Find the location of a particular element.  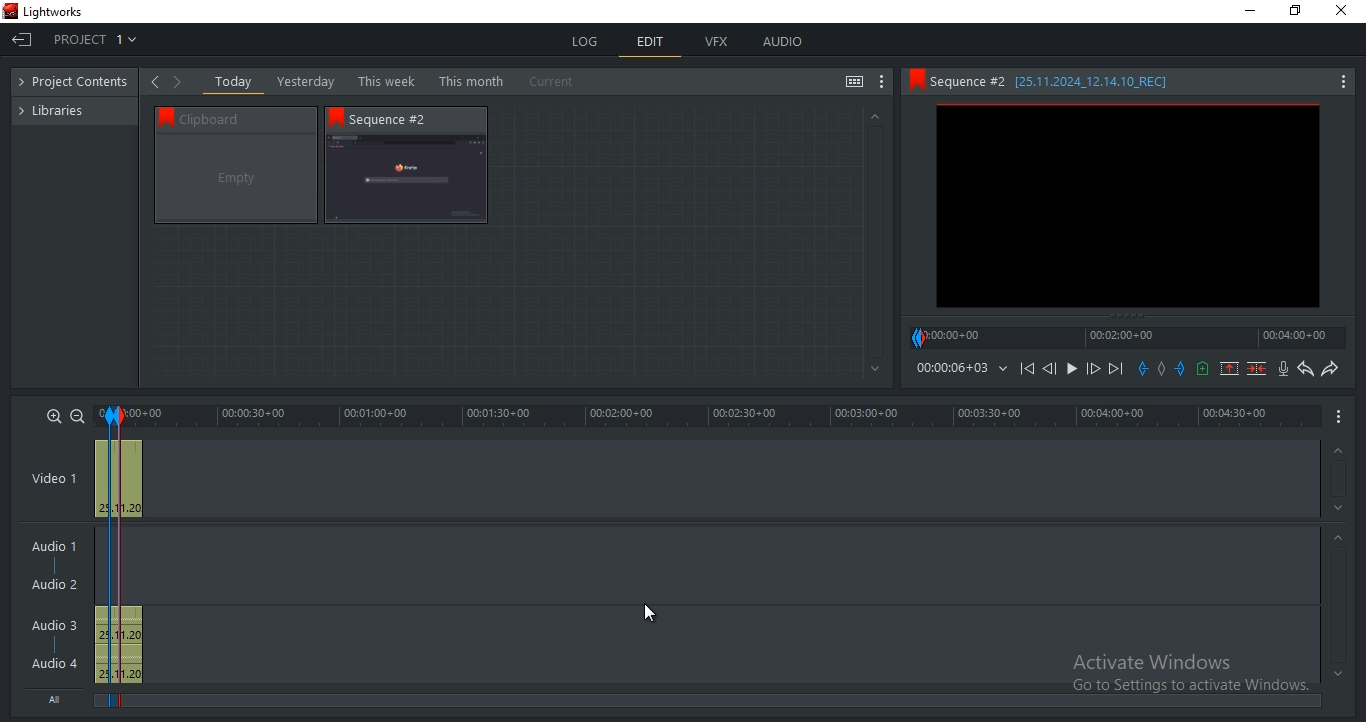

show settings menu is located at coordinates (882, 82).